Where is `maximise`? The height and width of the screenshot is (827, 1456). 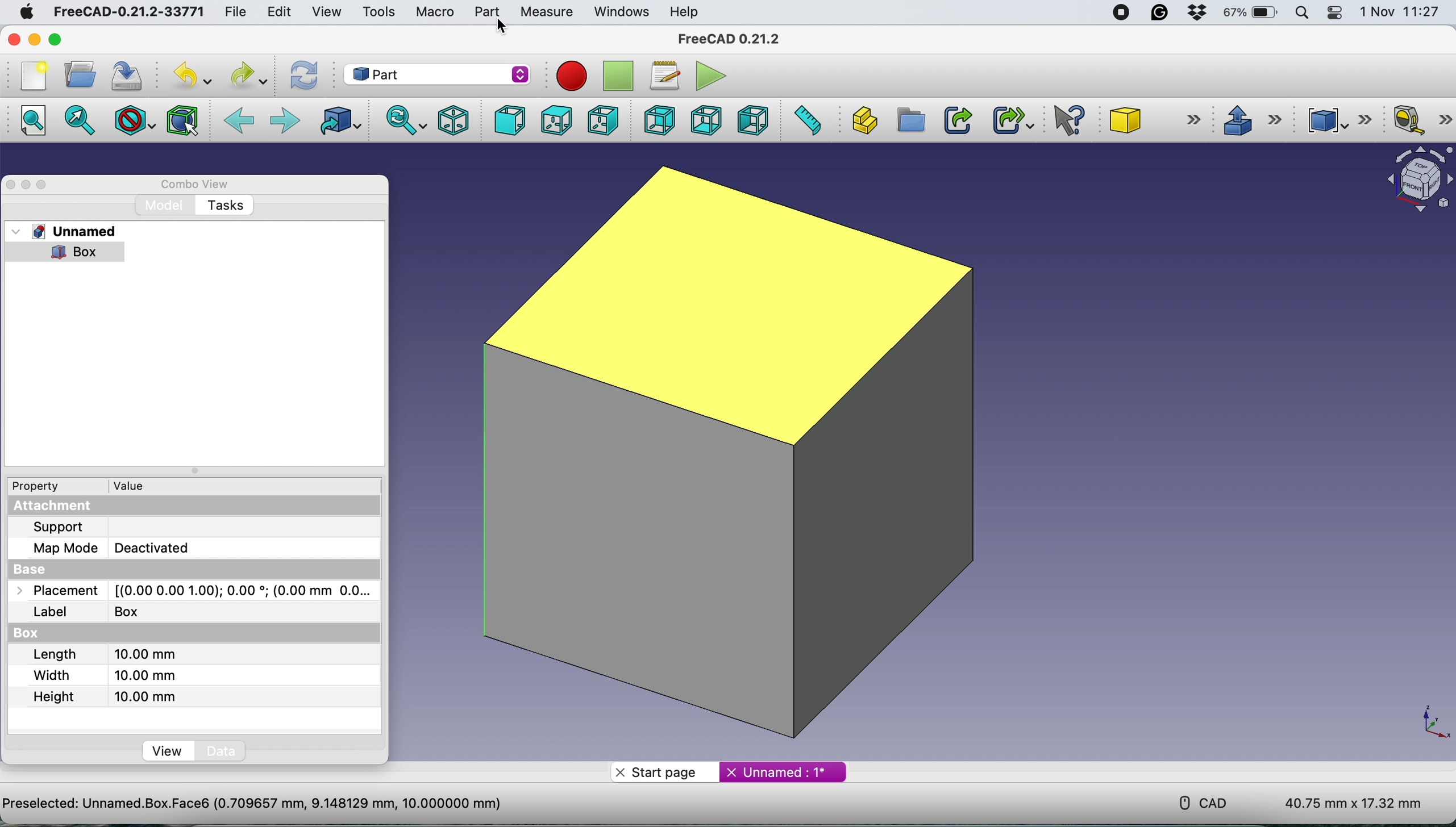
maximise is located at coordinates (52, 41).